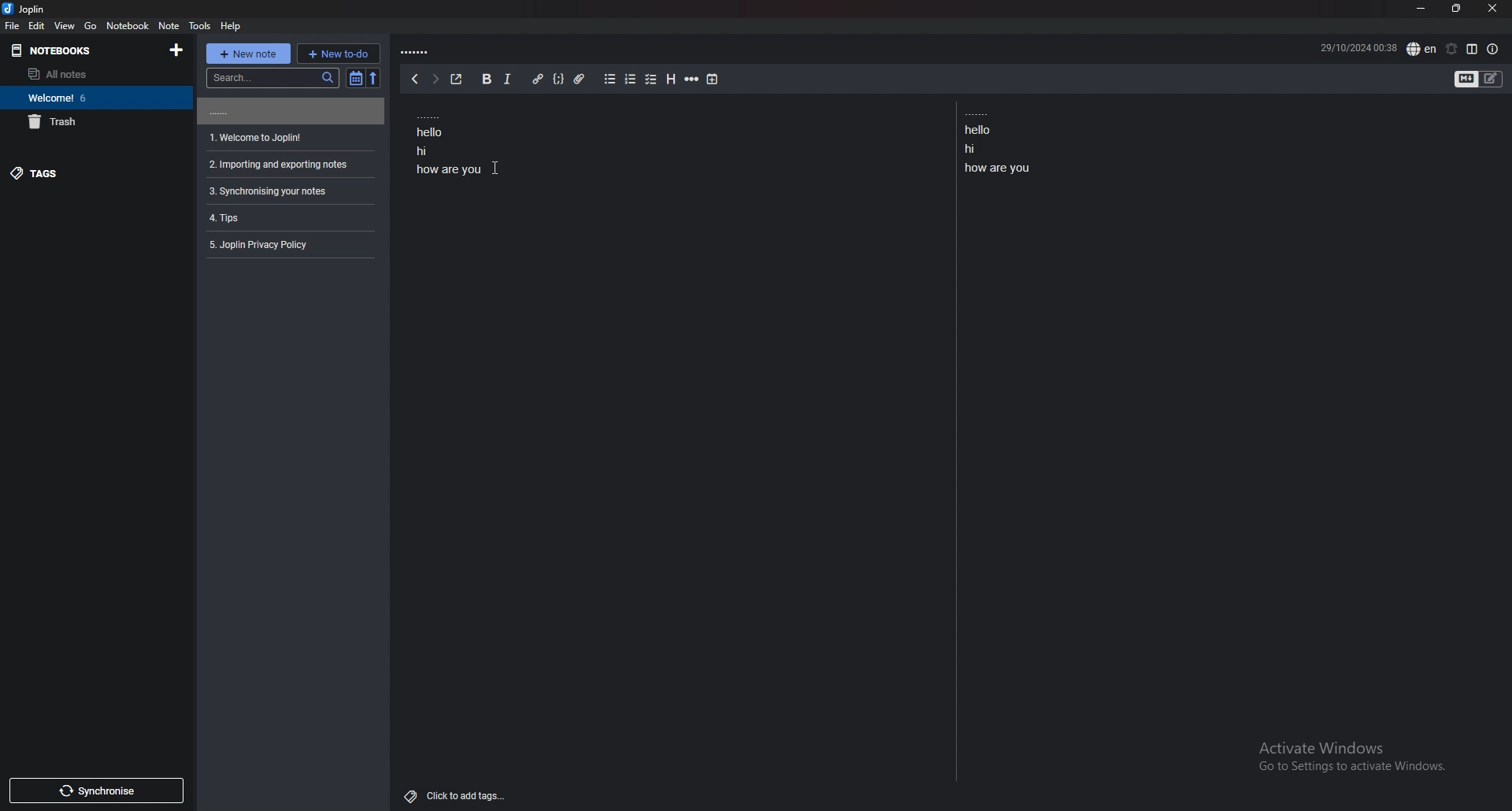 The height and width of the screenshot is (811, 1512). Describe the element at coordinates (288, 165) in the screenshot. I see `note` at that location.